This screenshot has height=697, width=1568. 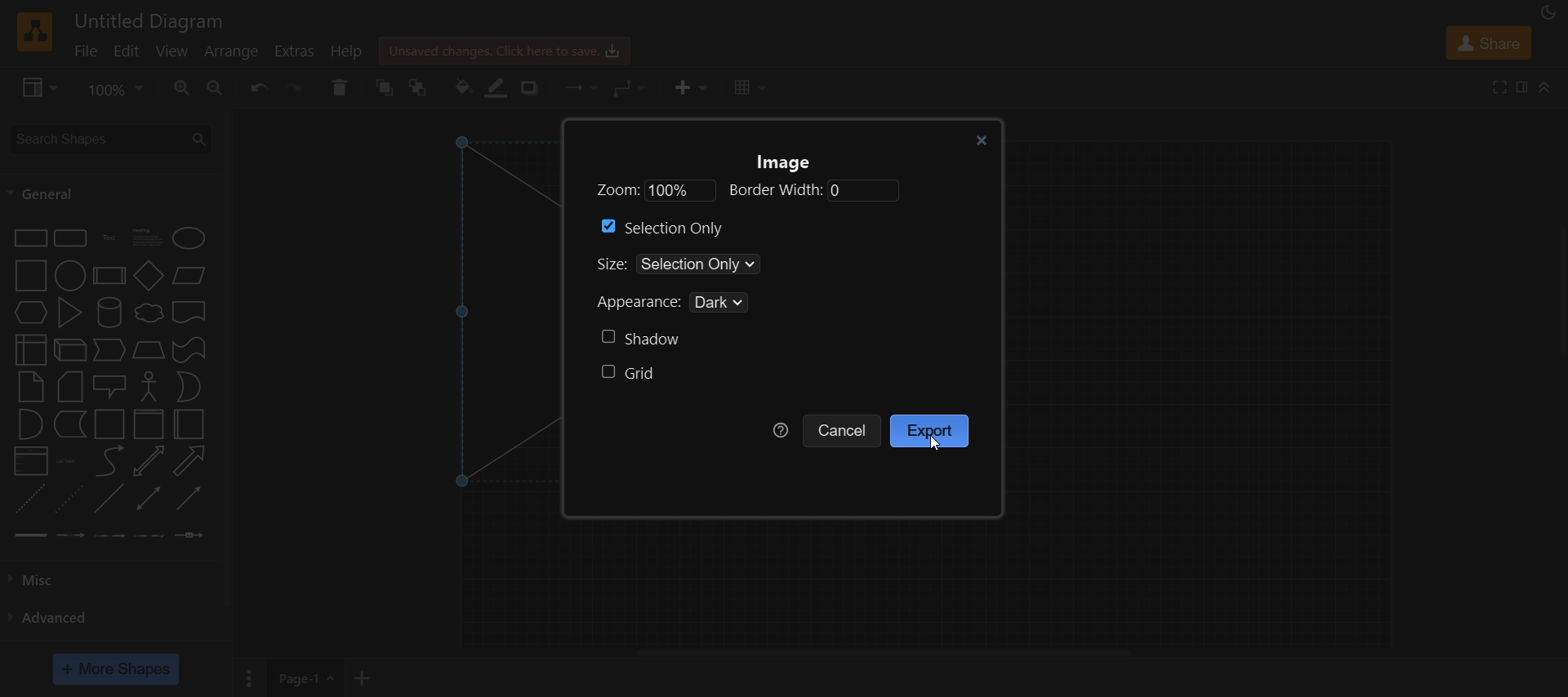 I want to click on image, so click(x=789, y=163).